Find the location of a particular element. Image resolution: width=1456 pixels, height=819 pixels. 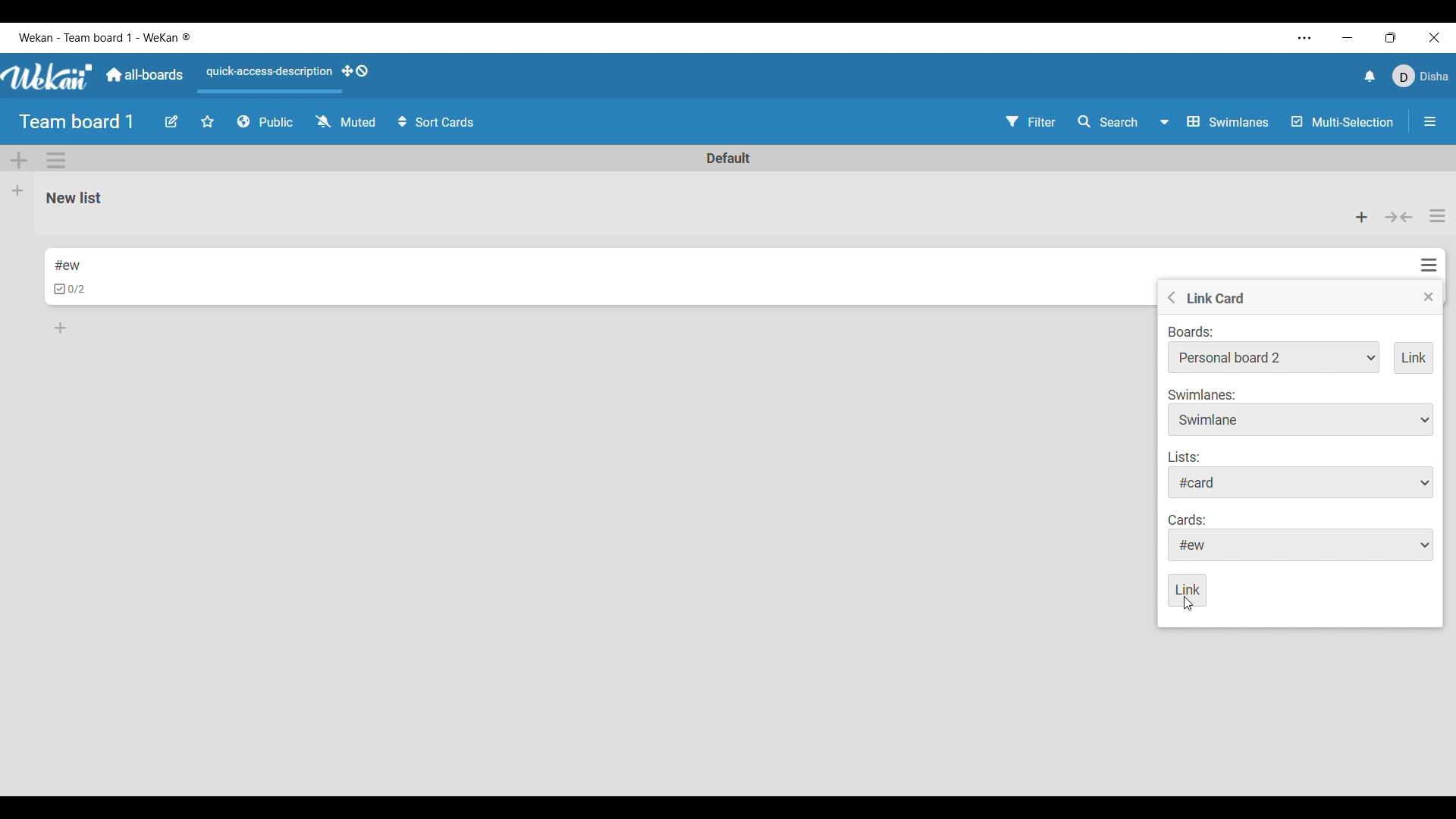

Save inputs made is located at coordinates (1188, 591).